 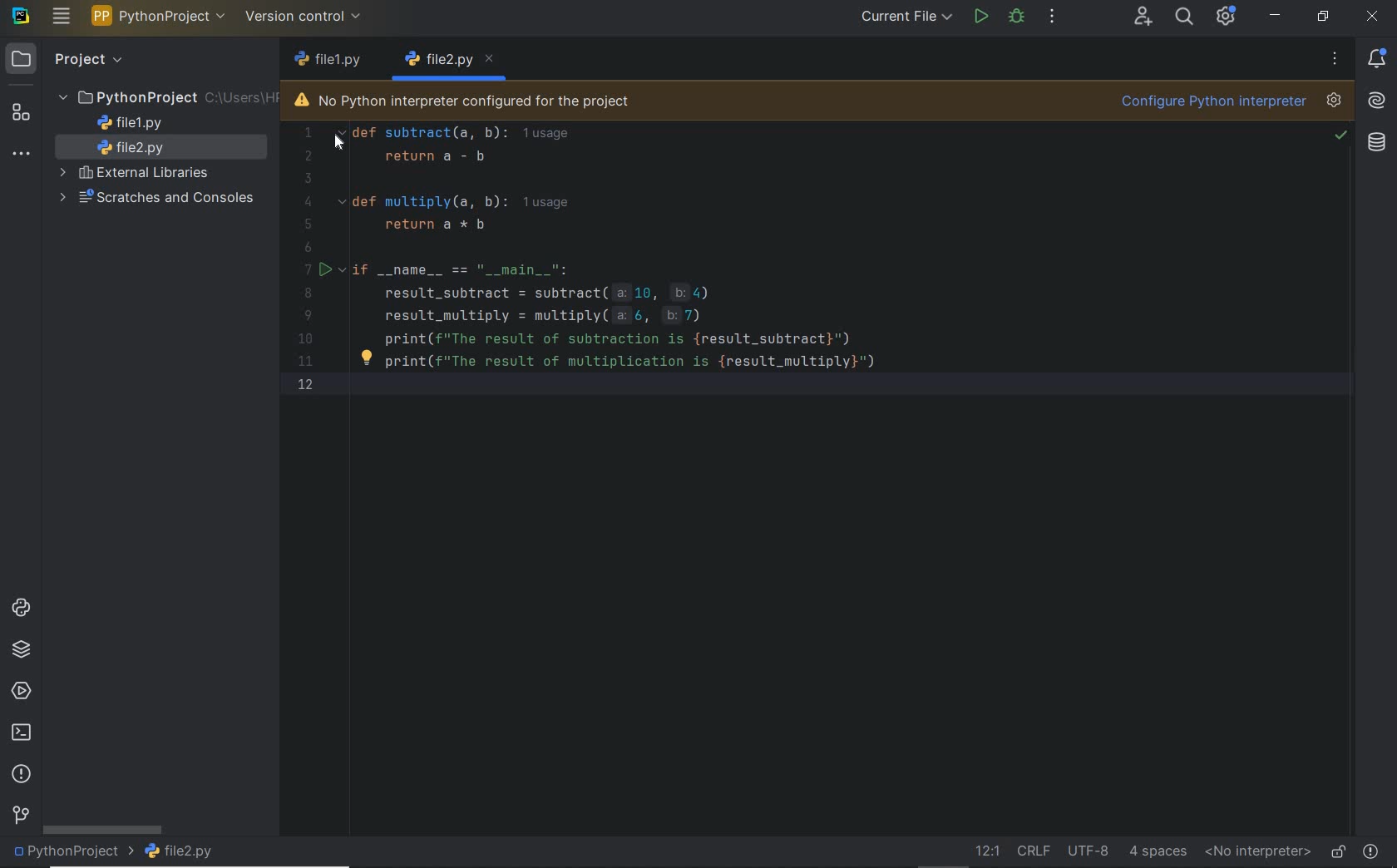 I want to click on ide and project settings, so click(x=1227, y=18).